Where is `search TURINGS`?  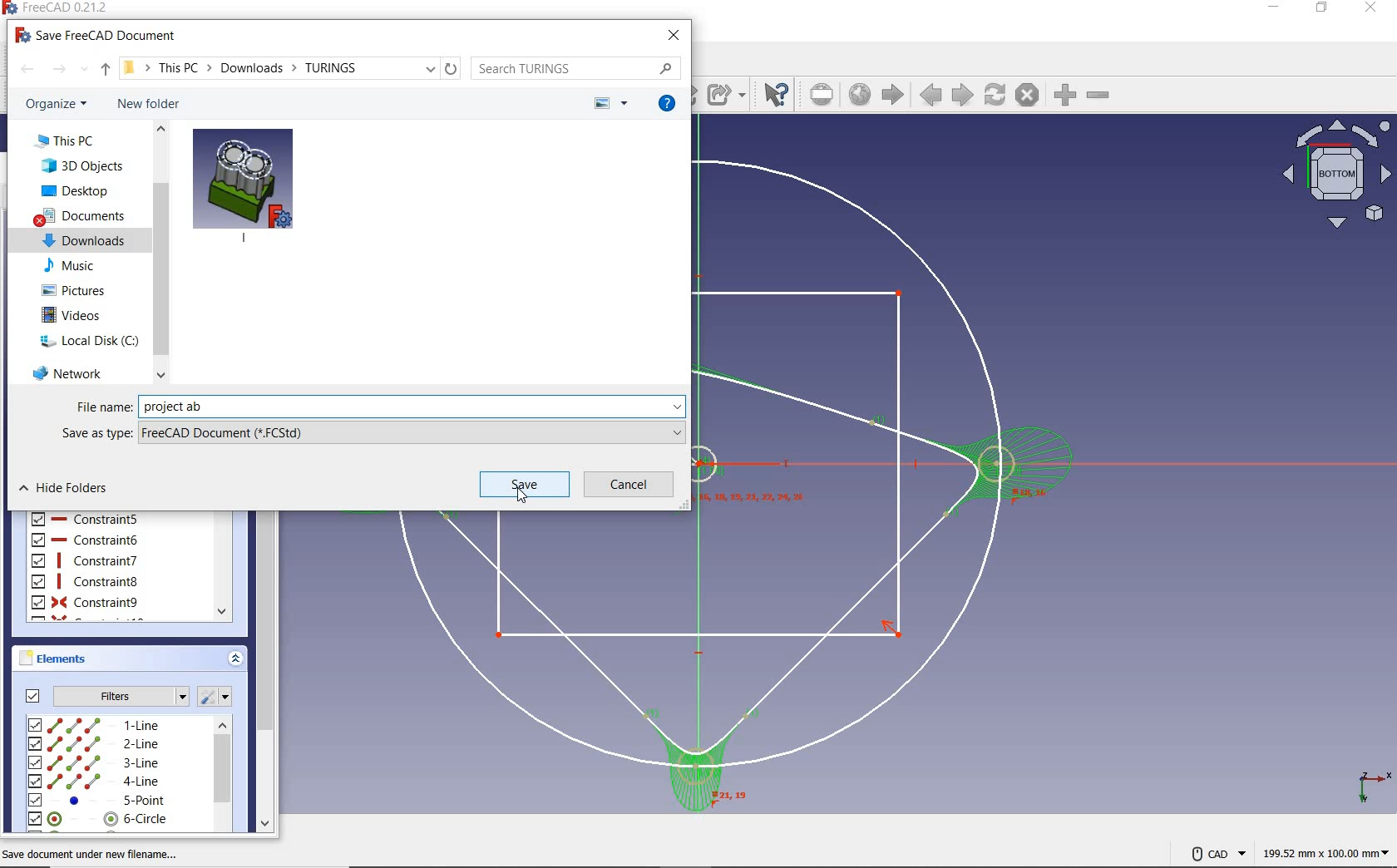 search TURINGS is located at coordinates (575, 68).